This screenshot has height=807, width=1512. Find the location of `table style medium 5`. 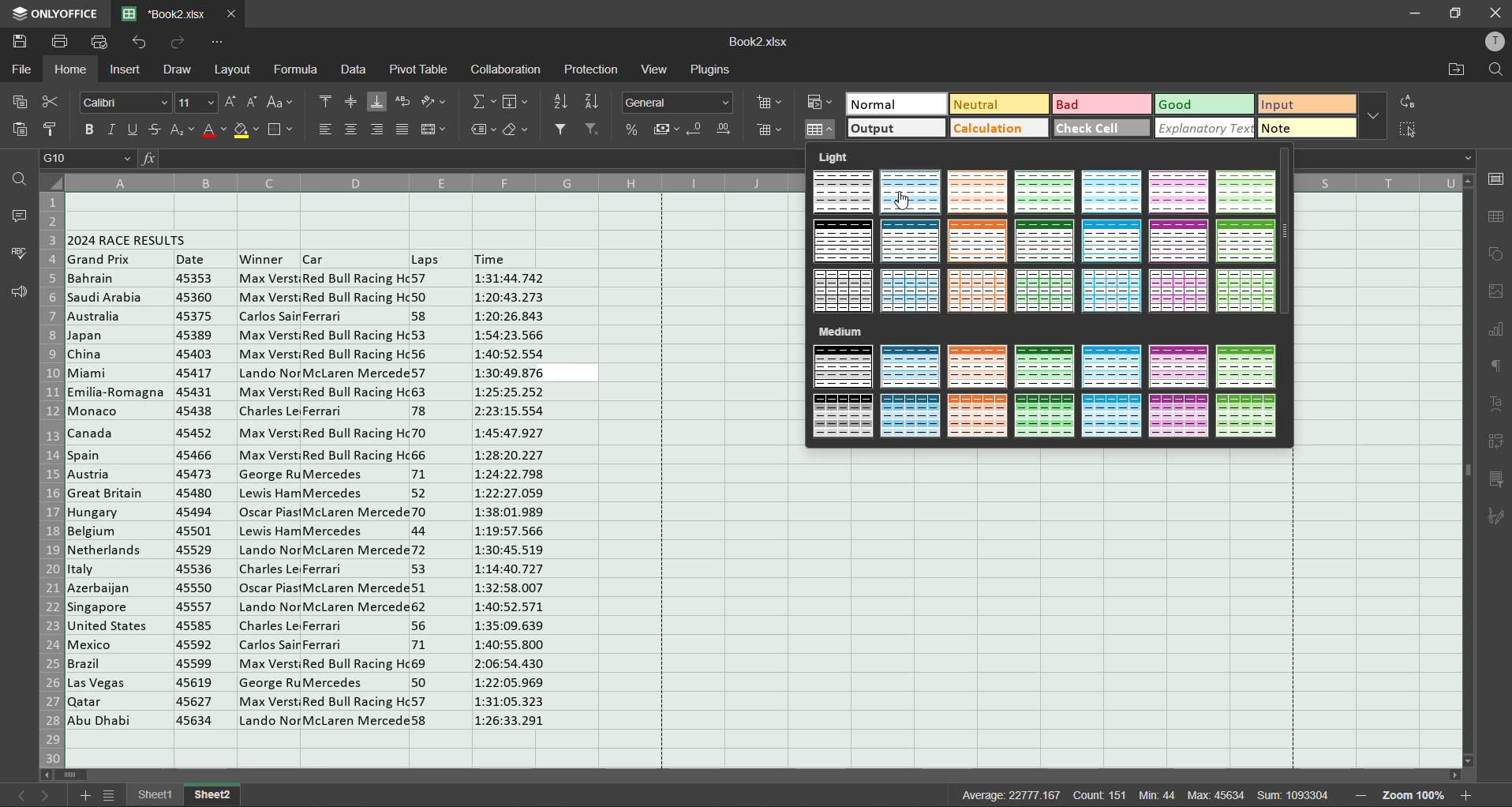

table style medium 5 is located at coordinates (1114, 367).